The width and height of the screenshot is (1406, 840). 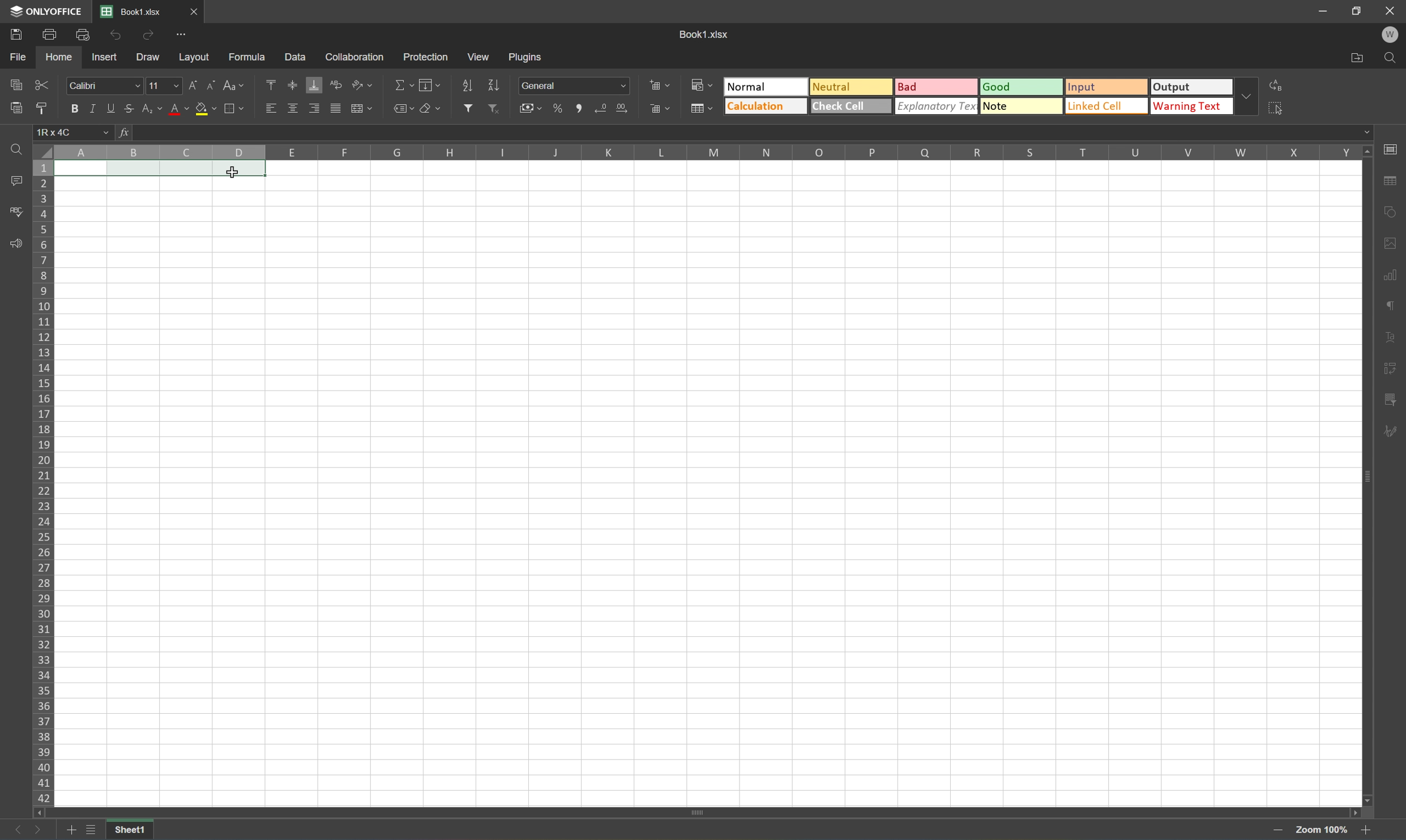 What do you see at coordinates (1388, 242) in the screenshot?
I see `Shape settings` at bounding box center [1388, 242].